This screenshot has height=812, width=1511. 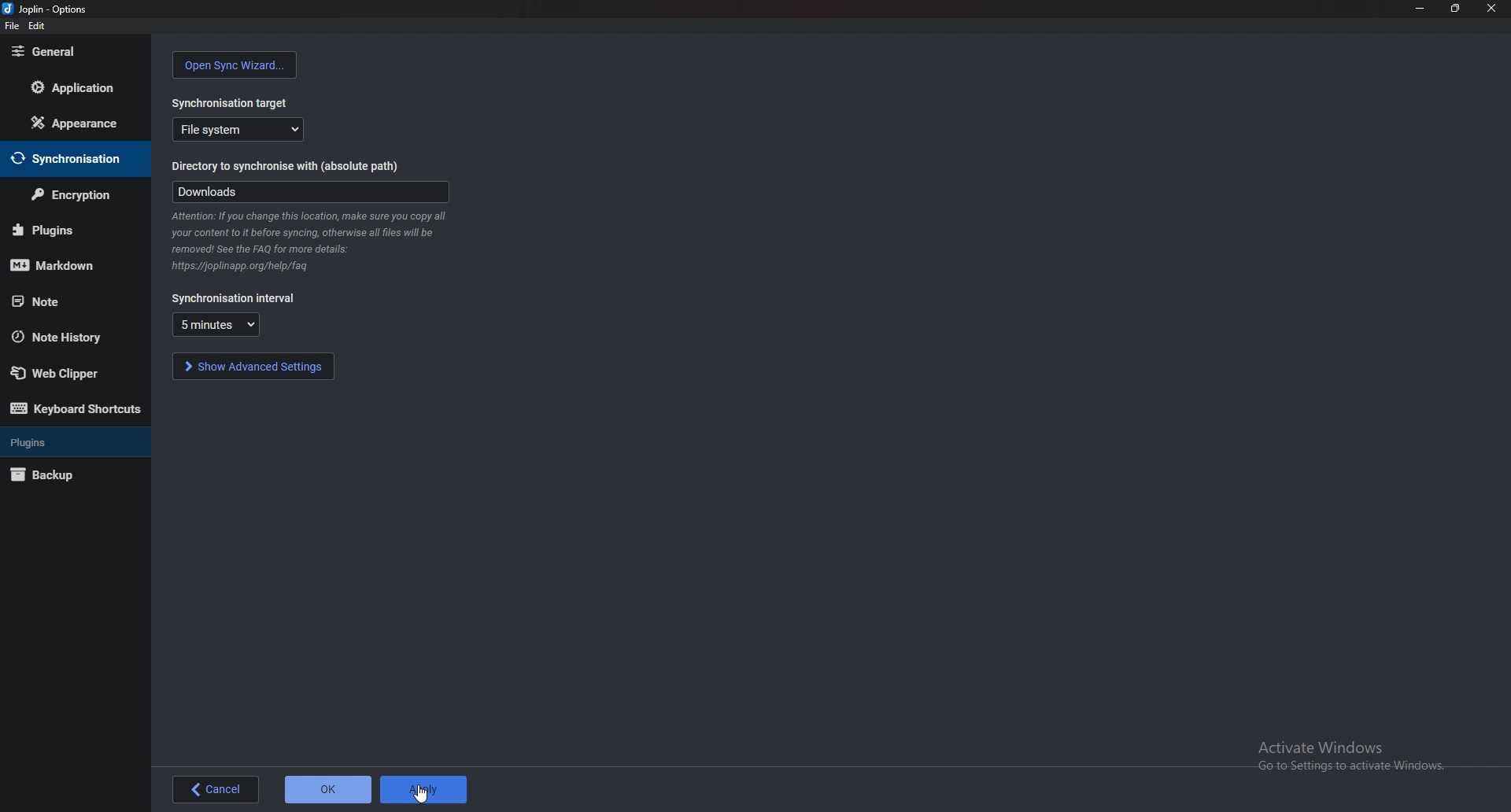 What do you see at coordinates (1457, 9) in the screenshot?
I see `Resize` at bounding box center [1457, 9].